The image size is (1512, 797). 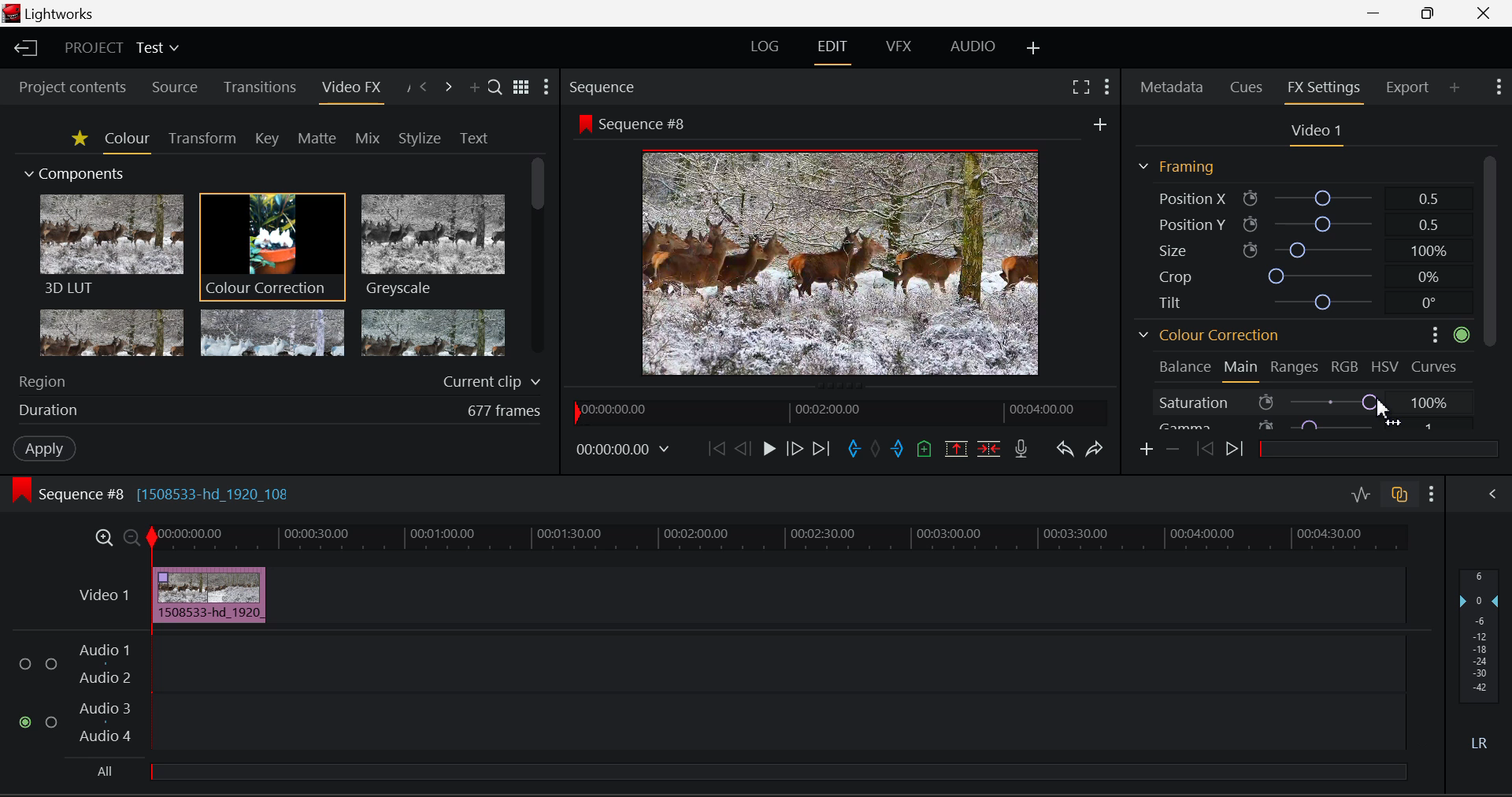 I want to click on Frame Time, so click(x=623, y=451).